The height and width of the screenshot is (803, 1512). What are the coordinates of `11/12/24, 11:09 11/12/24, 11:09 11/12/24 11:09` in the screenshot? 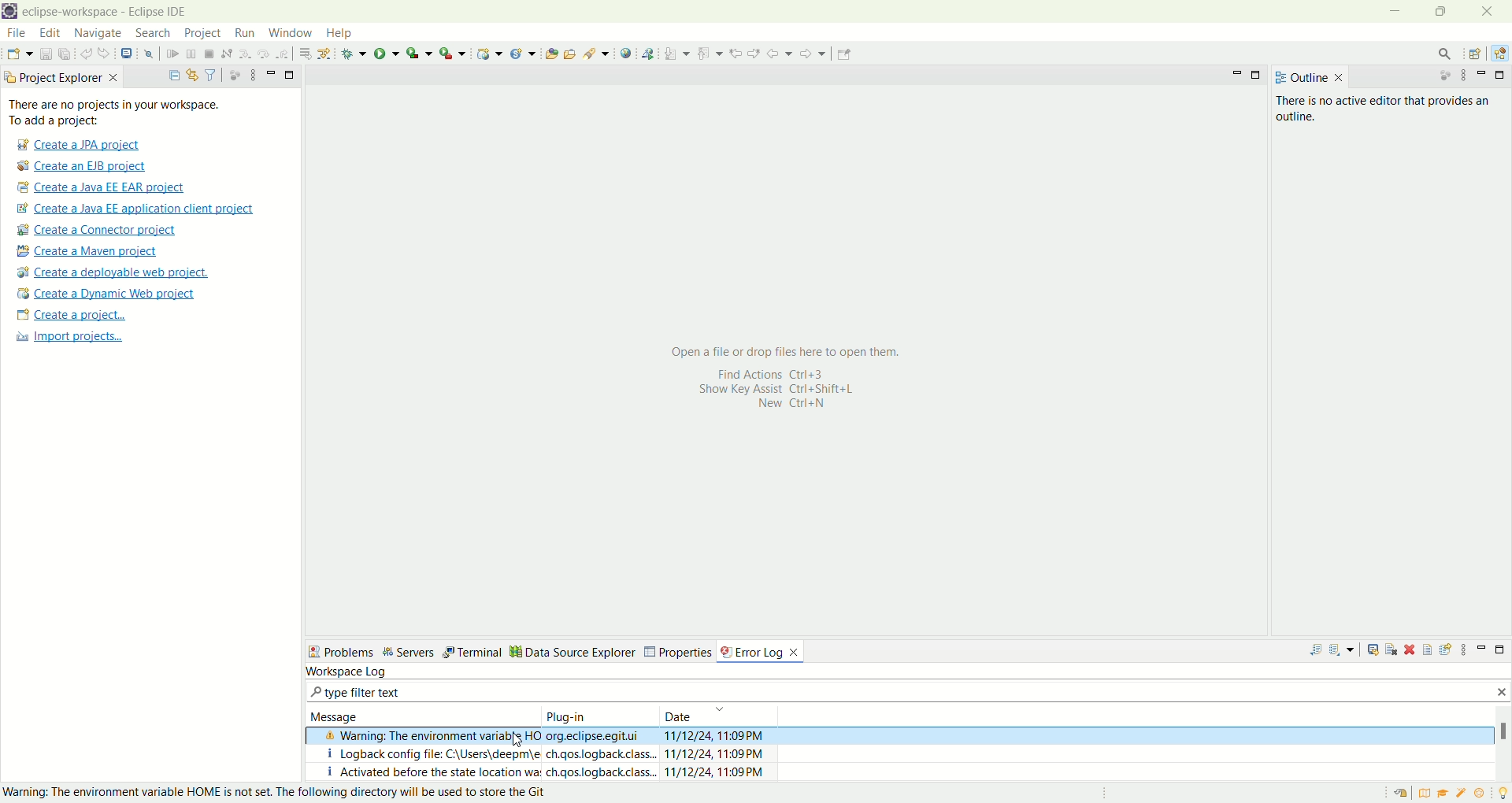 It's located at (719, 753).